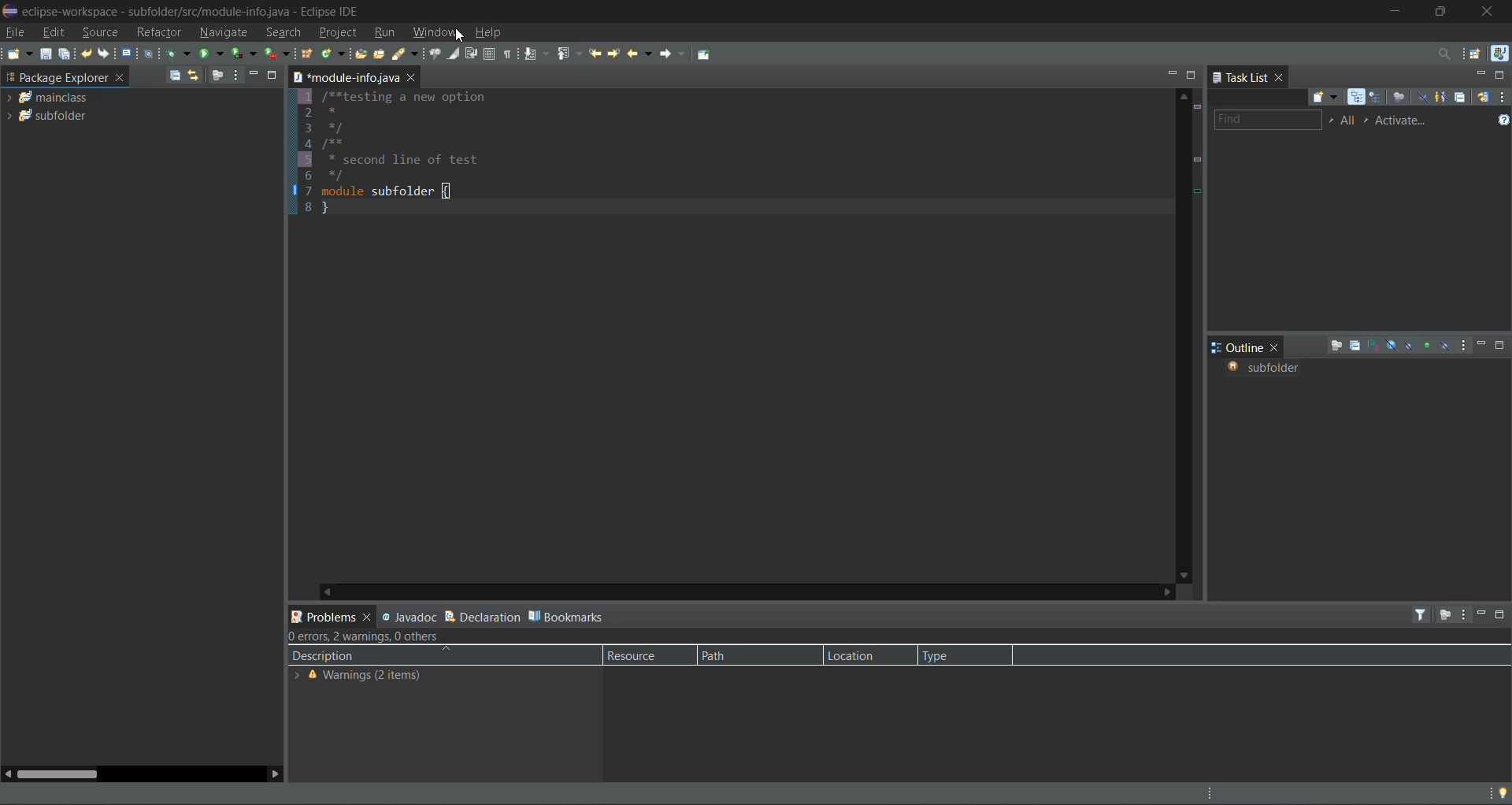 The image size is (1512, 805). I want to click on metadata, so click(379, 639).